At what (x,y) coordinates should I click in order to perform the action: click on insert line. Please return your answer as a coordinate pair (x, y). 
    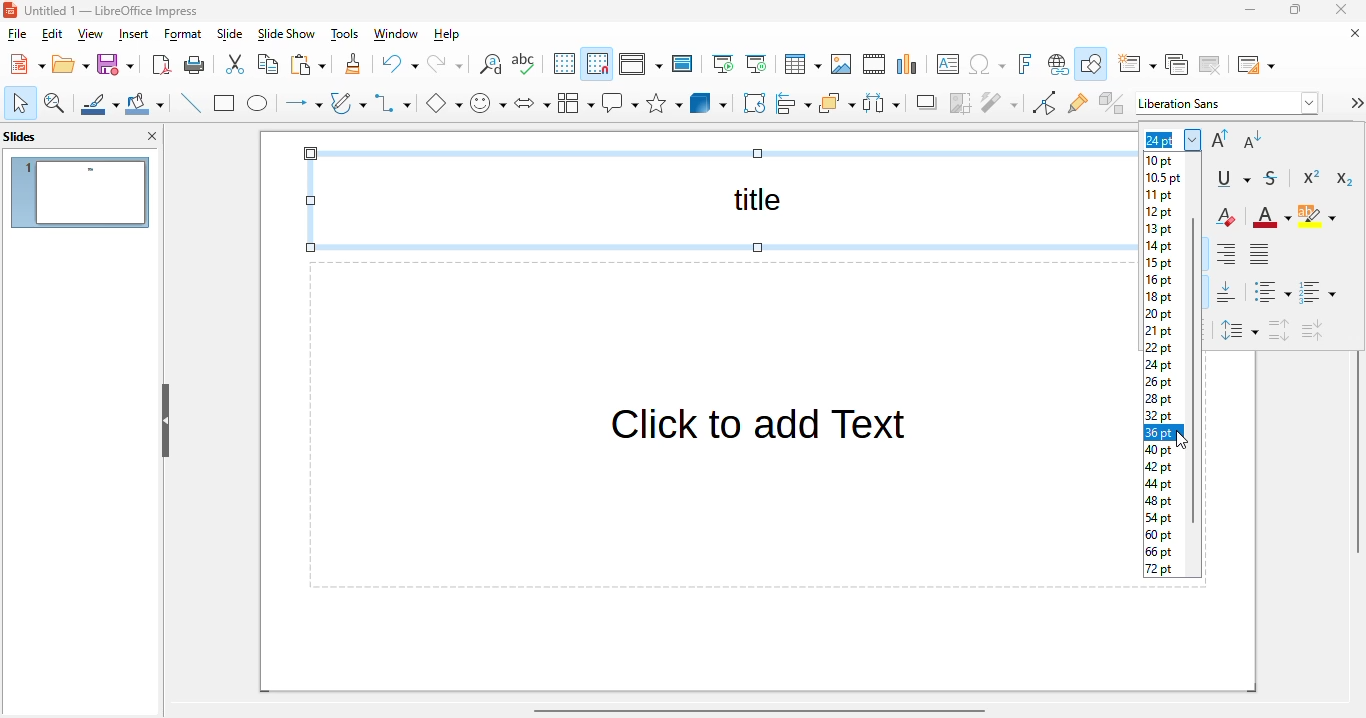
    Looking at the image, I should click on (190, 102).